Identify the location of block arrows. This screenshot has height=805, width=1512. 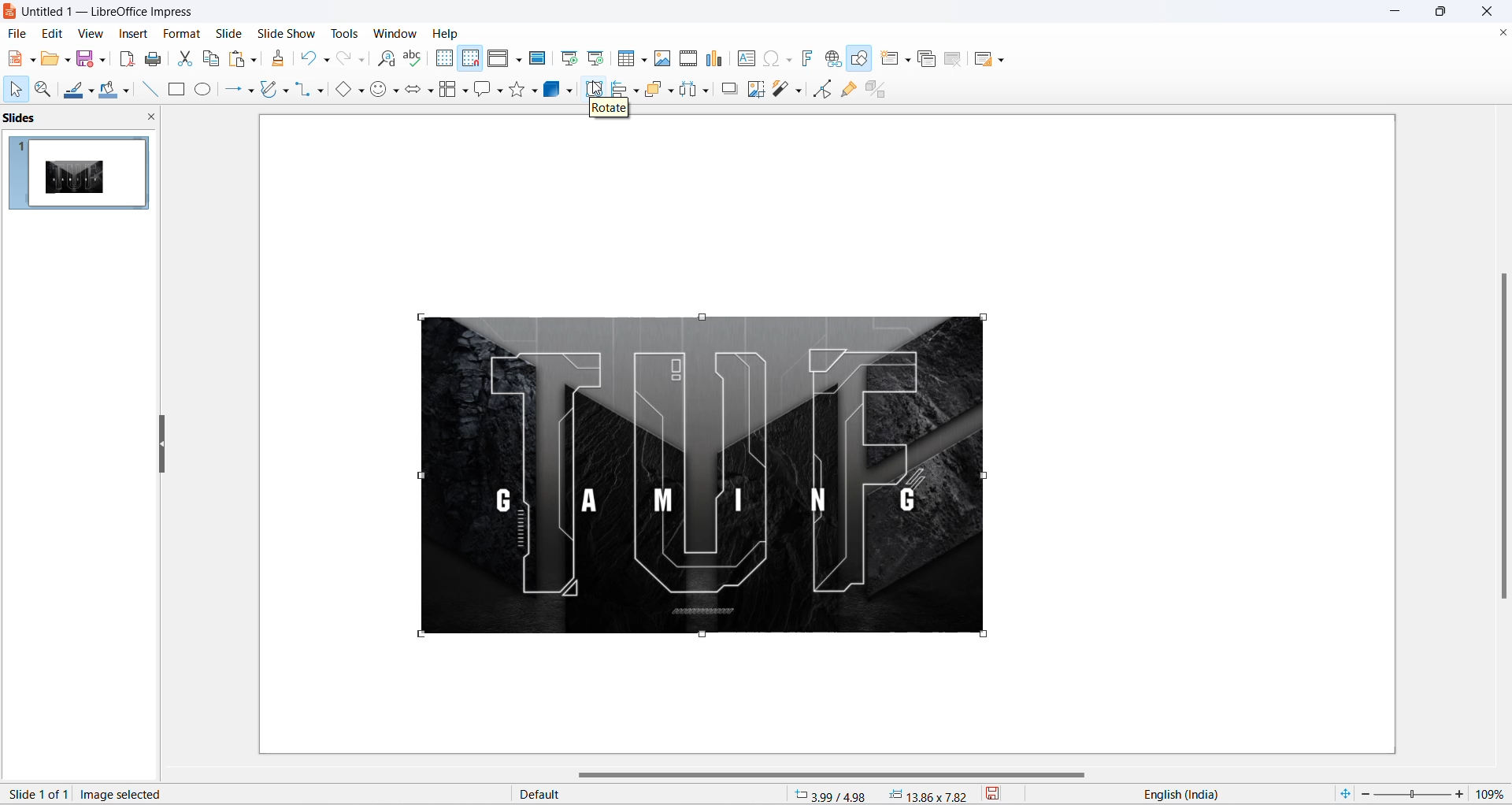
(413, 92).